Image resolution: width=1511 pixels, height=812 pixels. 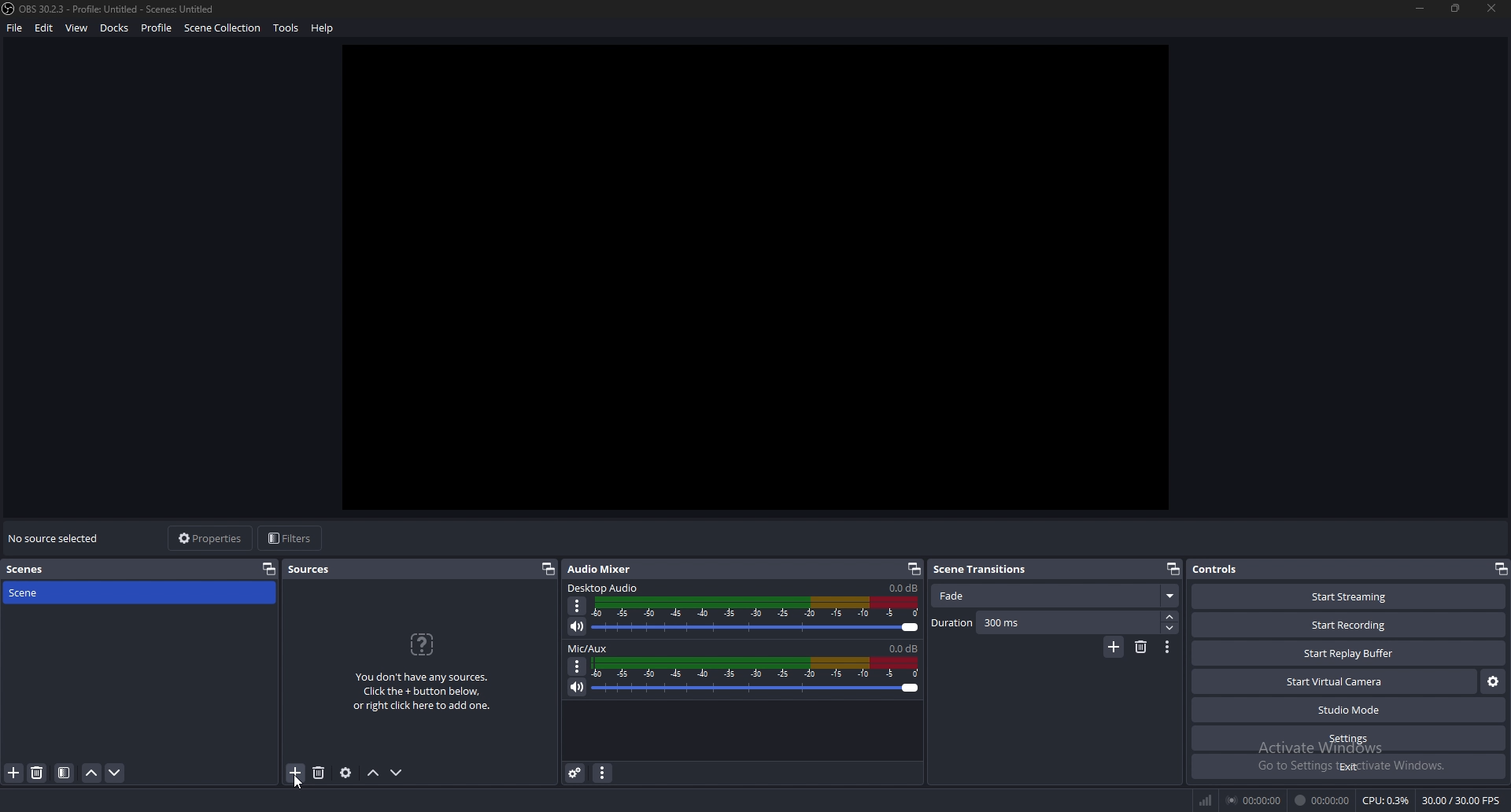 I want to click on source properties, so click(x=346, y=773).